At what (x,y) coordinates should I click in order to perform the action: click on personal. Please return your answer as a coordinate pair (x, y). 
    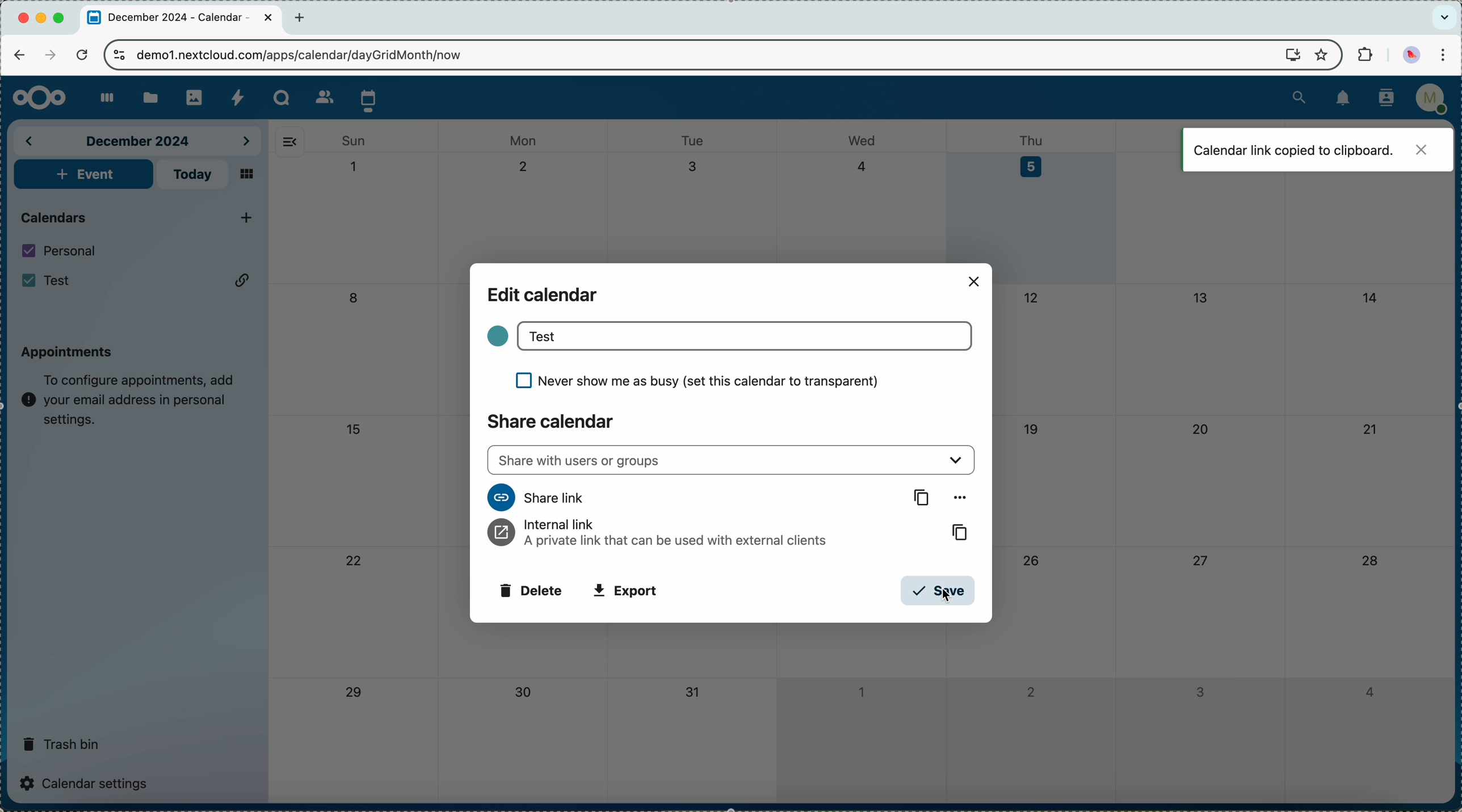
    Looking at the image, I should click on (61, 251).